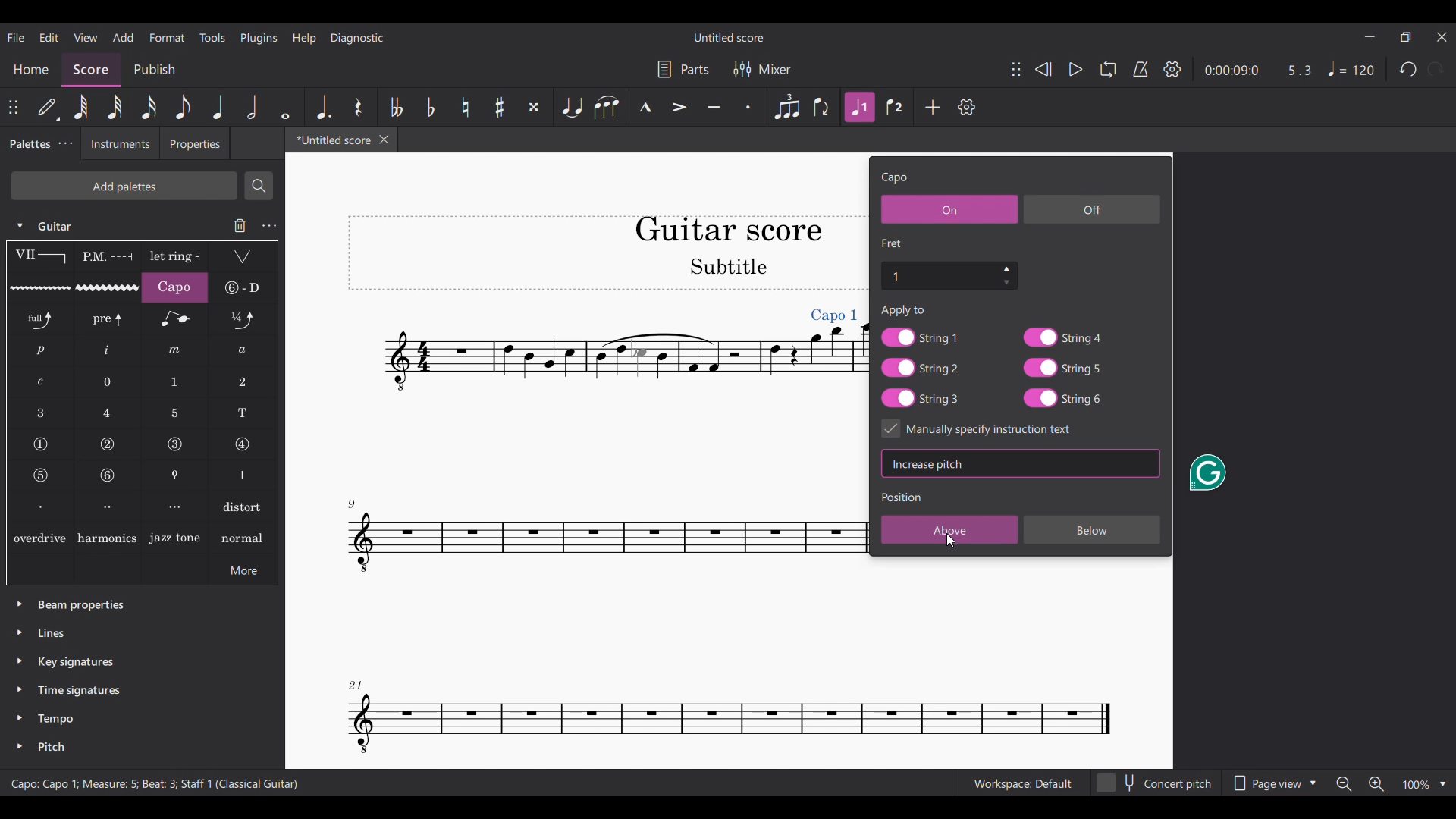 This screenshot has width=1456, height=819. I want to click on Add, so click(933, 106).